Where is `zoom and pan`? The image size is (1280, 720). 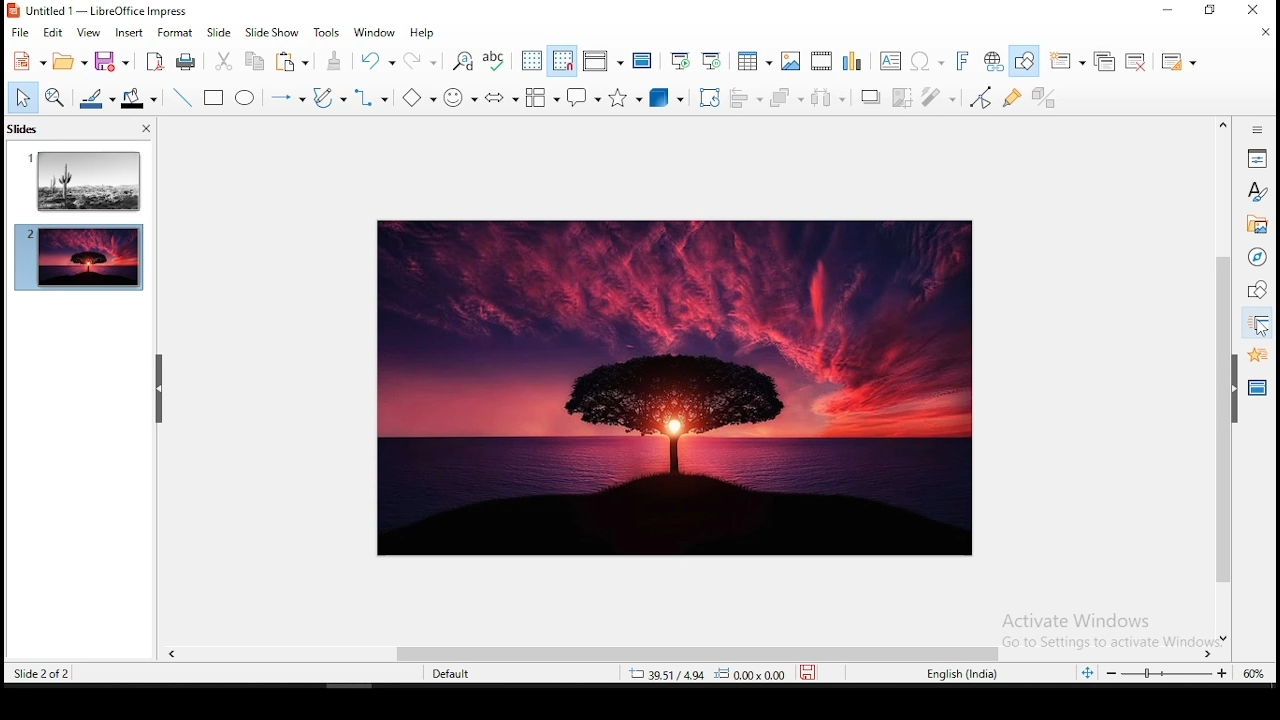 zoom and pan is located at coordinates (55, 97).